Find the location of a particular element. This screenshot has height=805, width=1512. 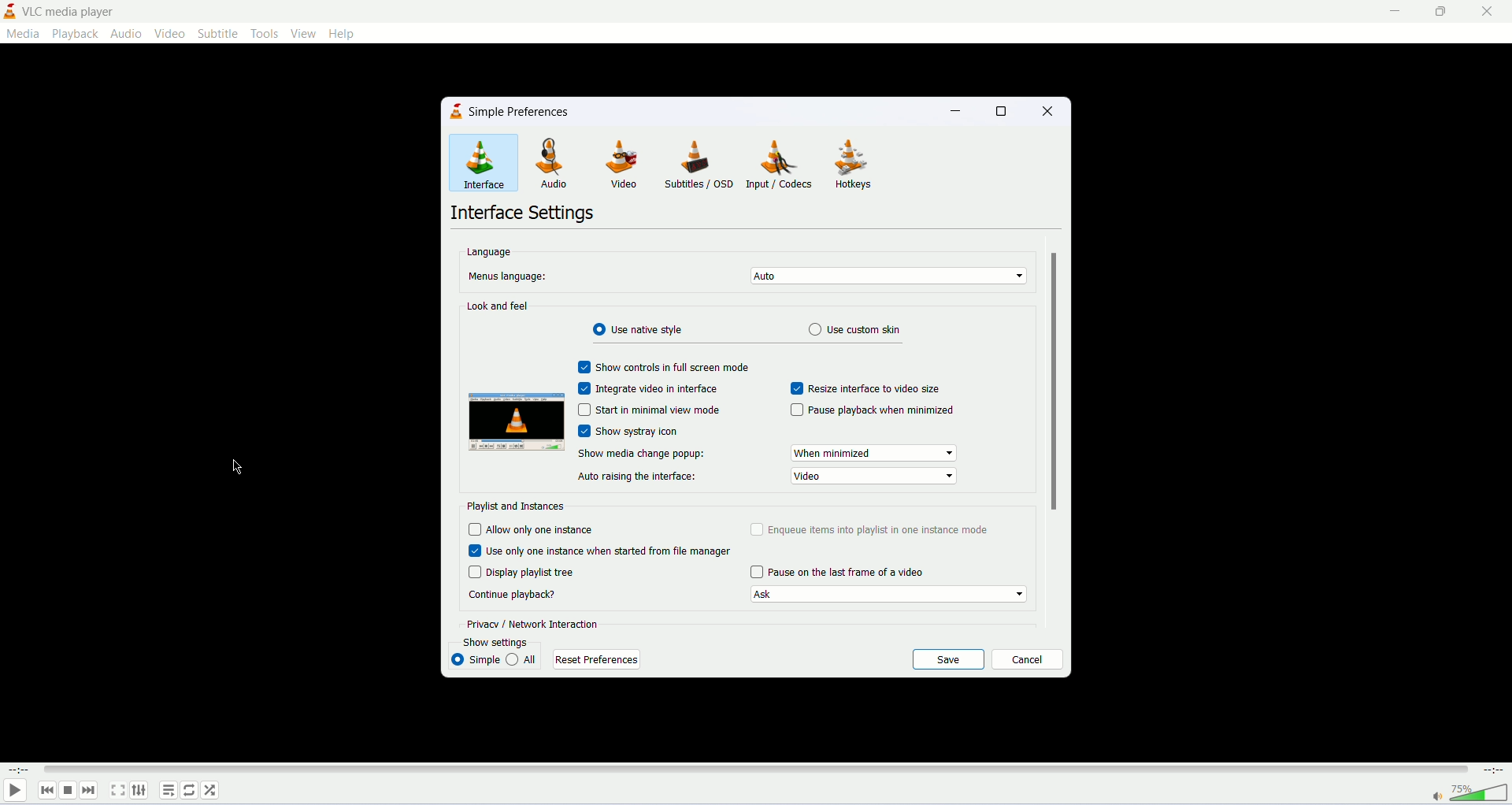

select menu's language is located at coordinates (888, 276).